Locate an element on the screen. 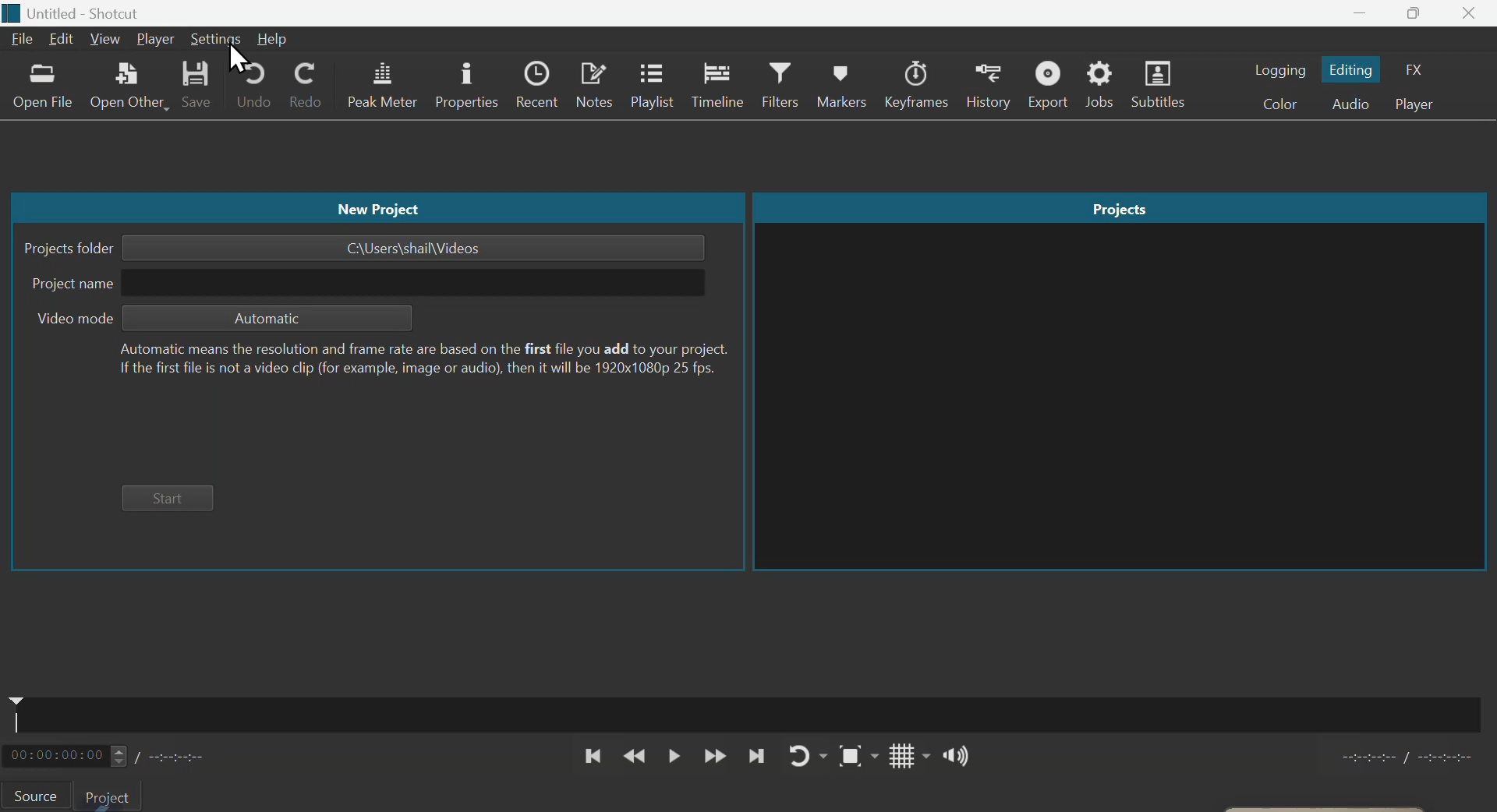 This screenshot has width=1497, height=812. Replay is located at coordinates (804, 755).